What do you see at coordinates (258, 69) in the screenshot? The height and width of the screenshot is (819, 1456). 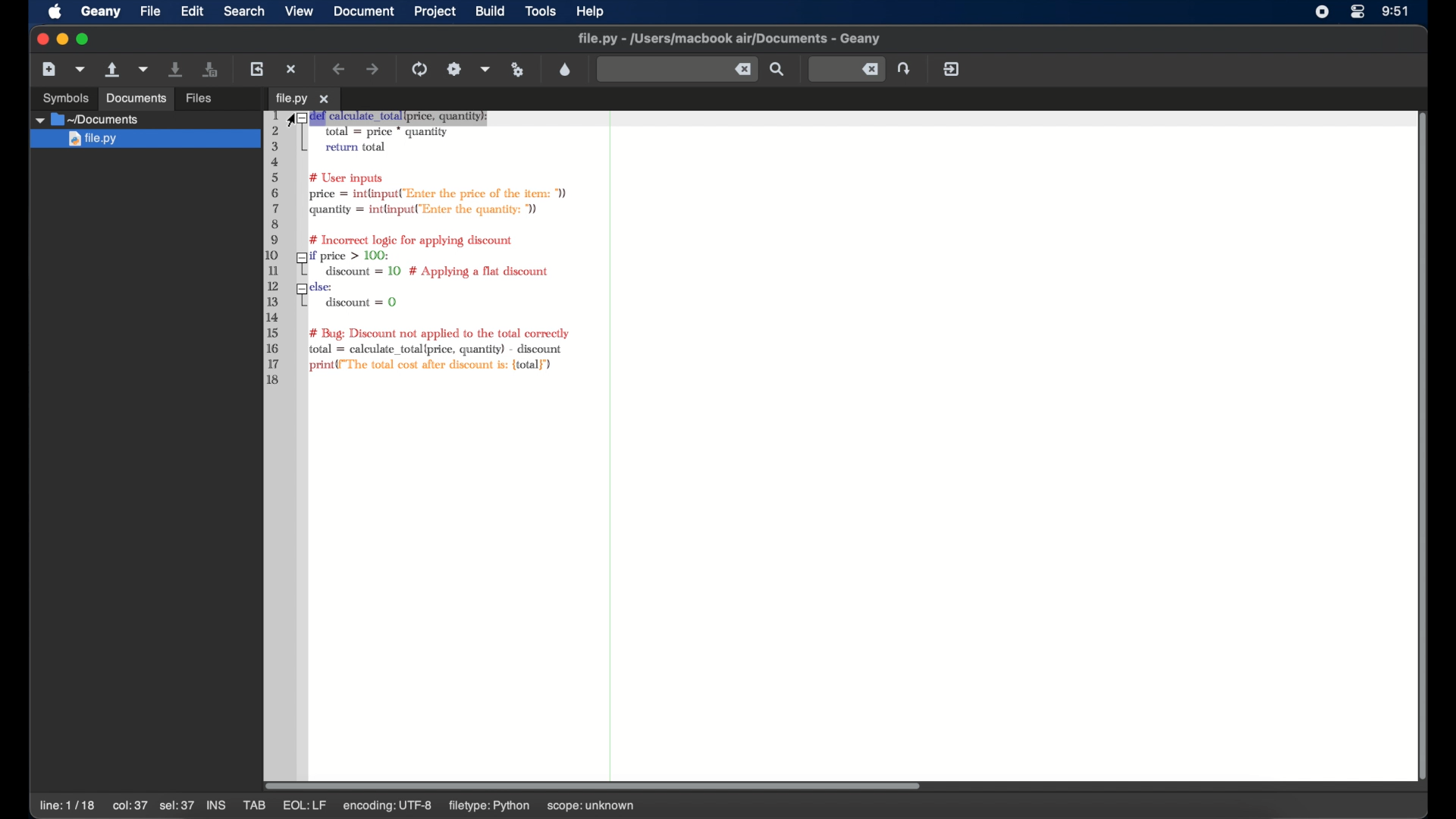 I see `reload current file from disk` at bounding box center [258, 69].